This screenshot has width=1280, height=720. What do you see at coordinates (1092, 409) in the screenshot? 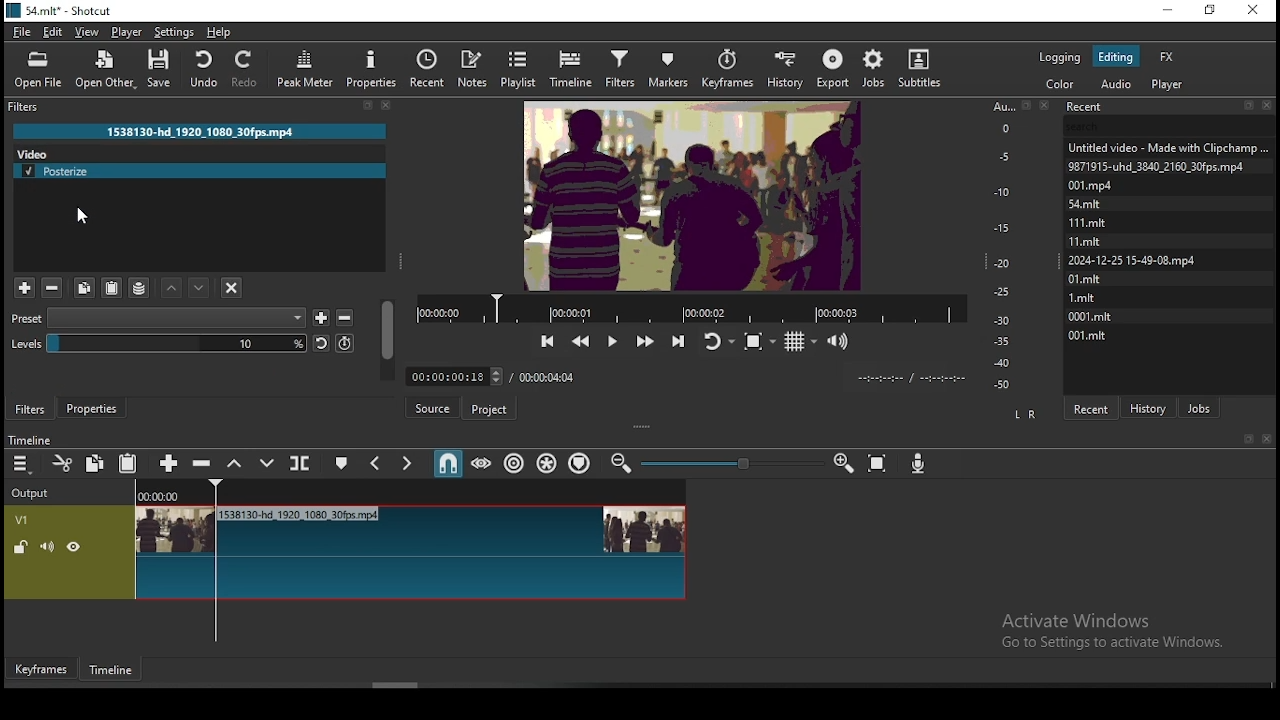
I see `recent` at bounding box center [1092, 409].